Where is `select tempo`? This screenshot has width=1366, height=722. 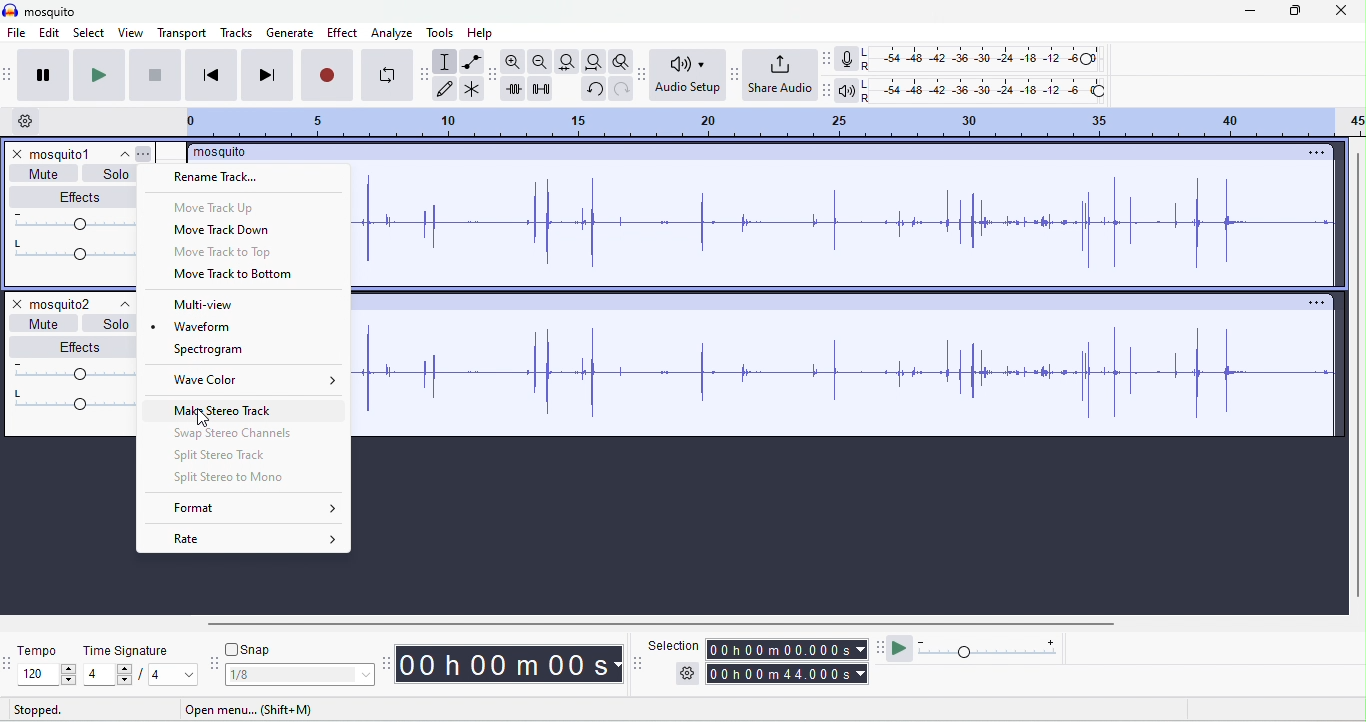
select tempo is located at coordinates (45, 674).